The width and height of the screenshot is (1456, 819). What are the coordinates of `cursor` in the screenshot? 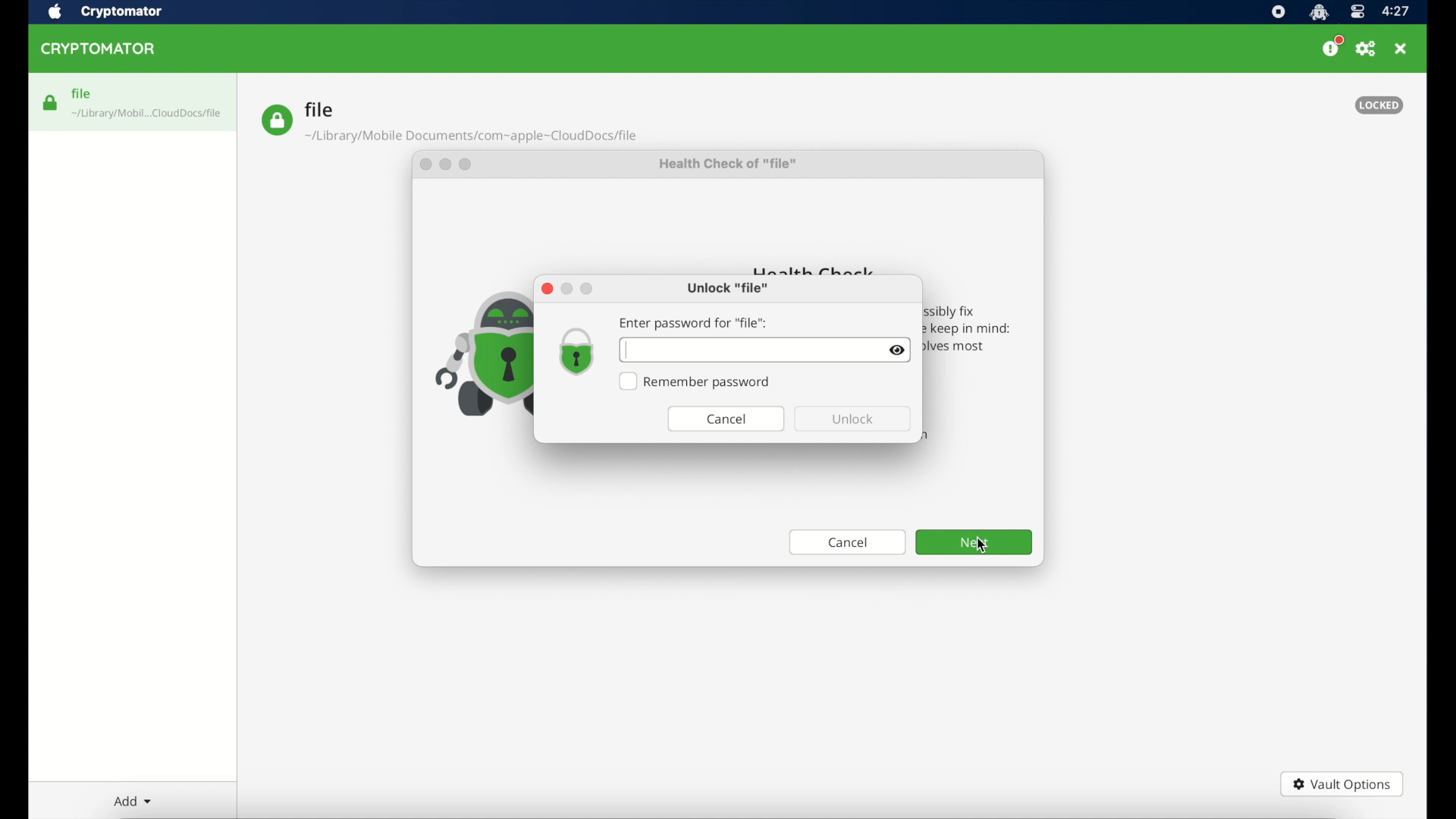 It's located at (983, 546).